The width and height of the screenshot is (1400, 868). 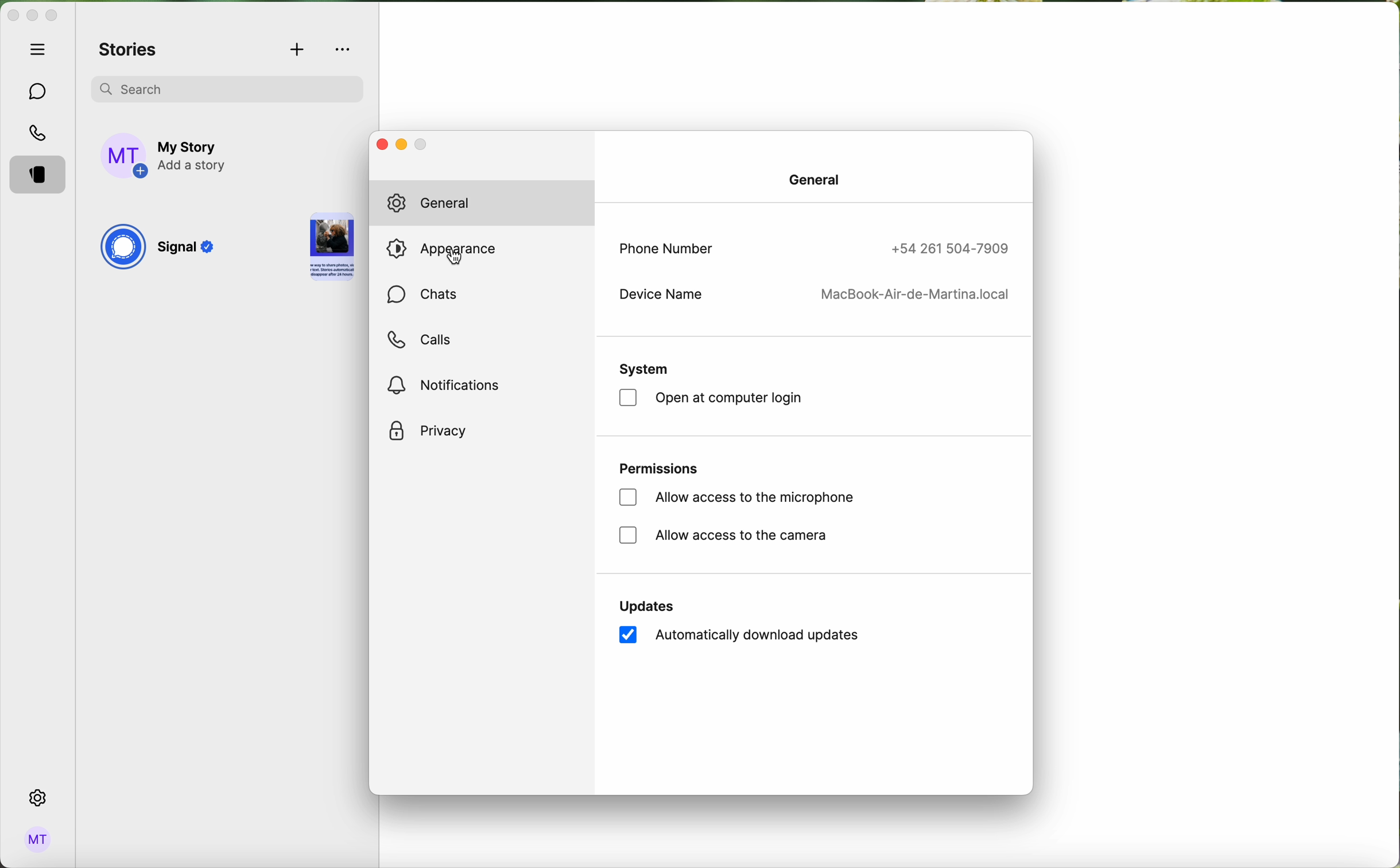 I want to click on phone number, so click(x=819, y=253).